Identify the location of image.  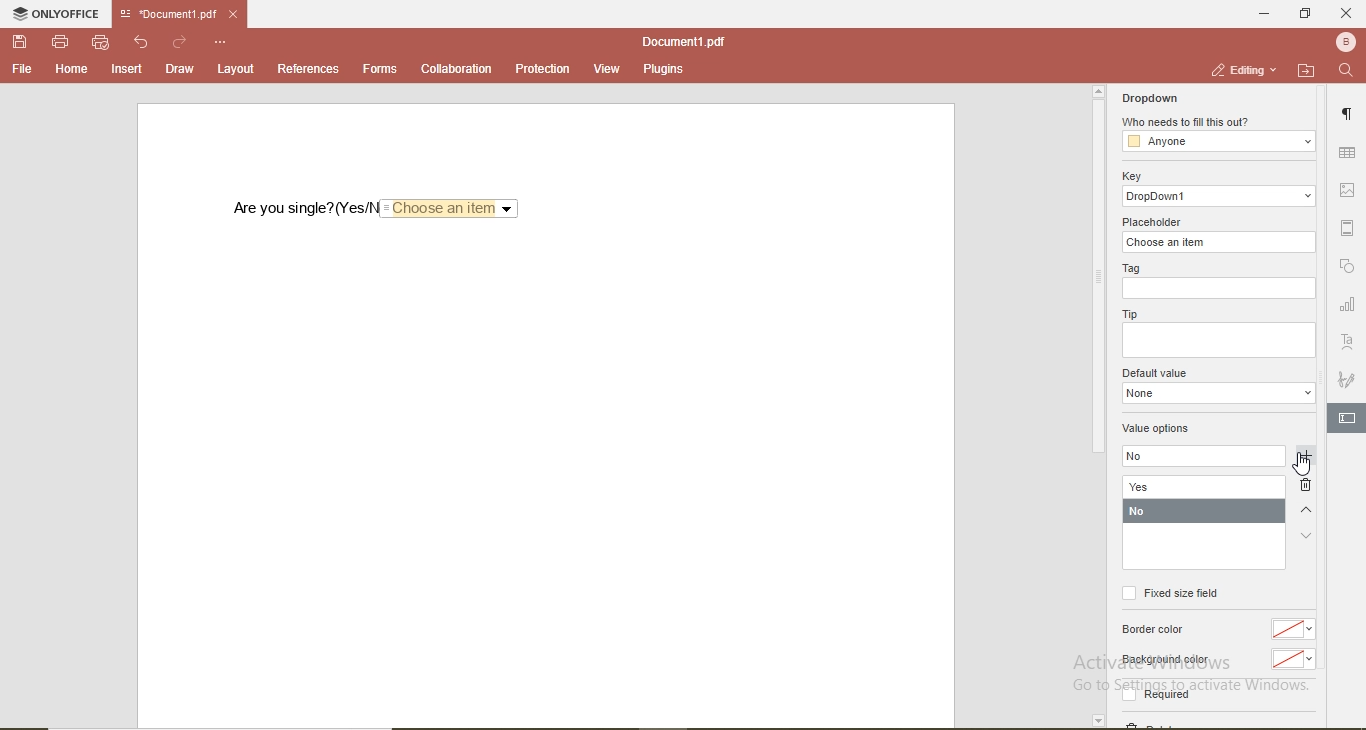
(1348, 187).